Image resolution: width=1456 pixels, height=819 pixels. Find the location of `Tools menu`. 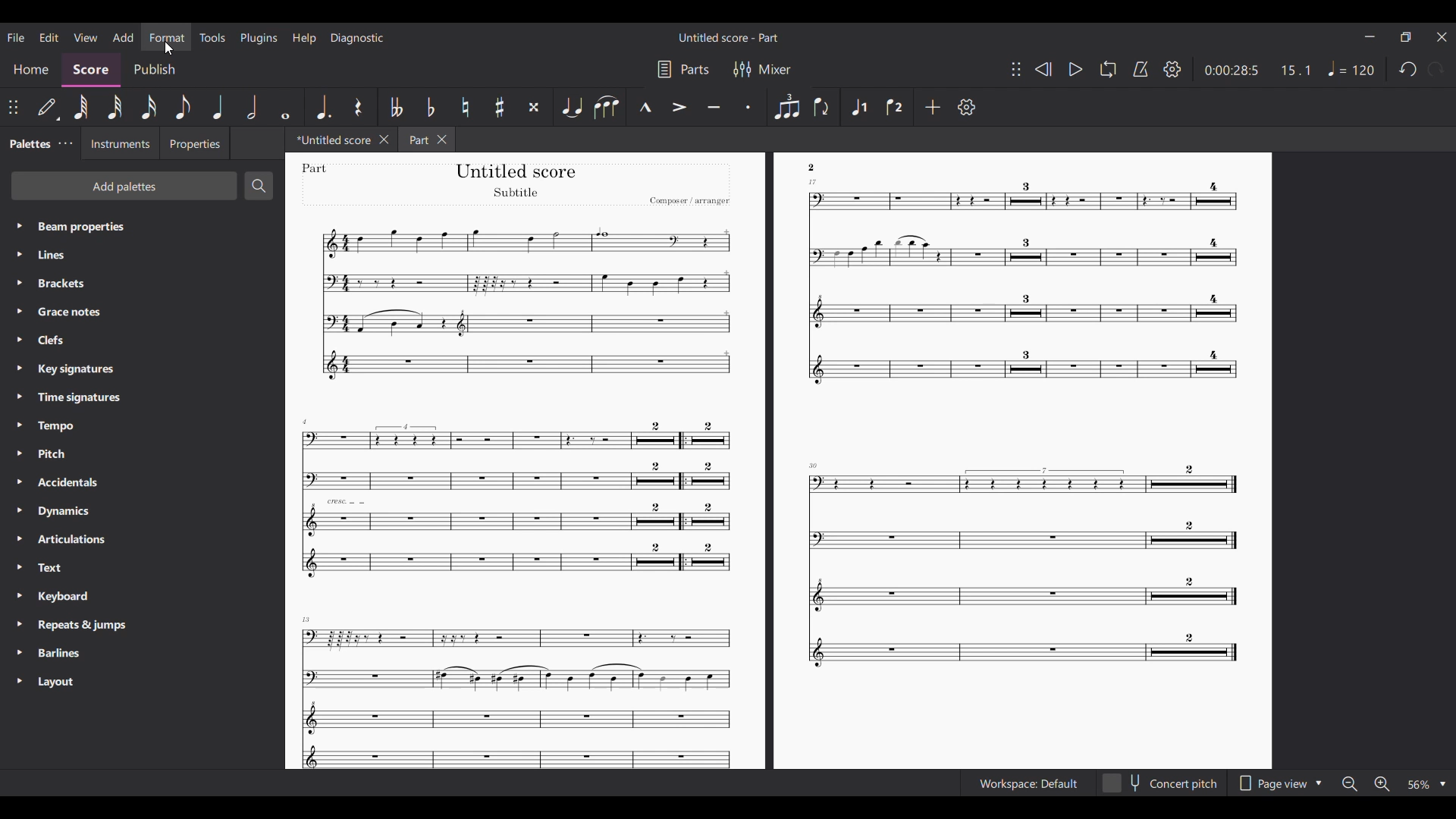

Tools menu is located at coordinates (212, 37).